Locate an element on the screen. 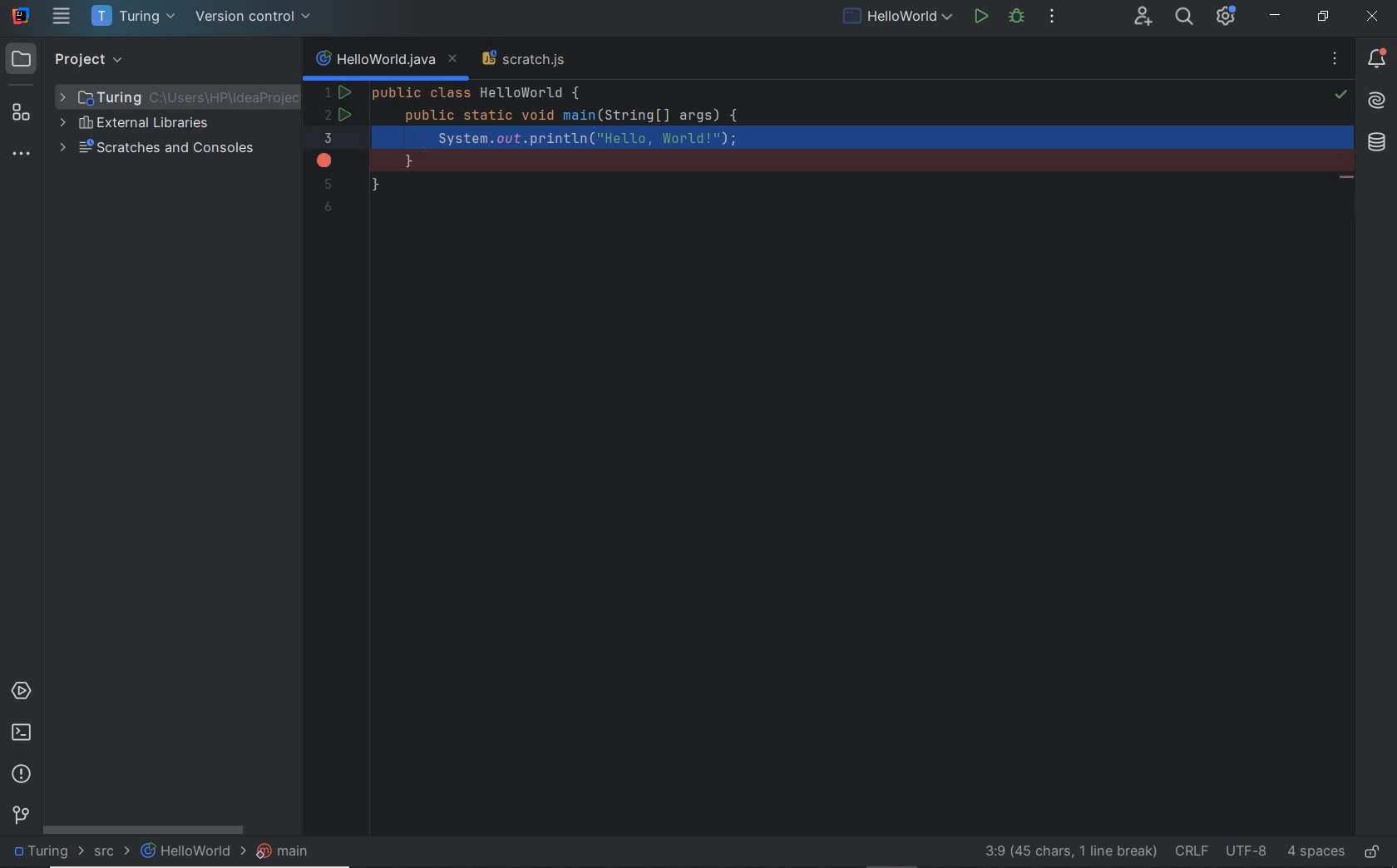 Image resolution: width=1397 pixels, height=868 pixels. version control is located at coordinates (18, 813).